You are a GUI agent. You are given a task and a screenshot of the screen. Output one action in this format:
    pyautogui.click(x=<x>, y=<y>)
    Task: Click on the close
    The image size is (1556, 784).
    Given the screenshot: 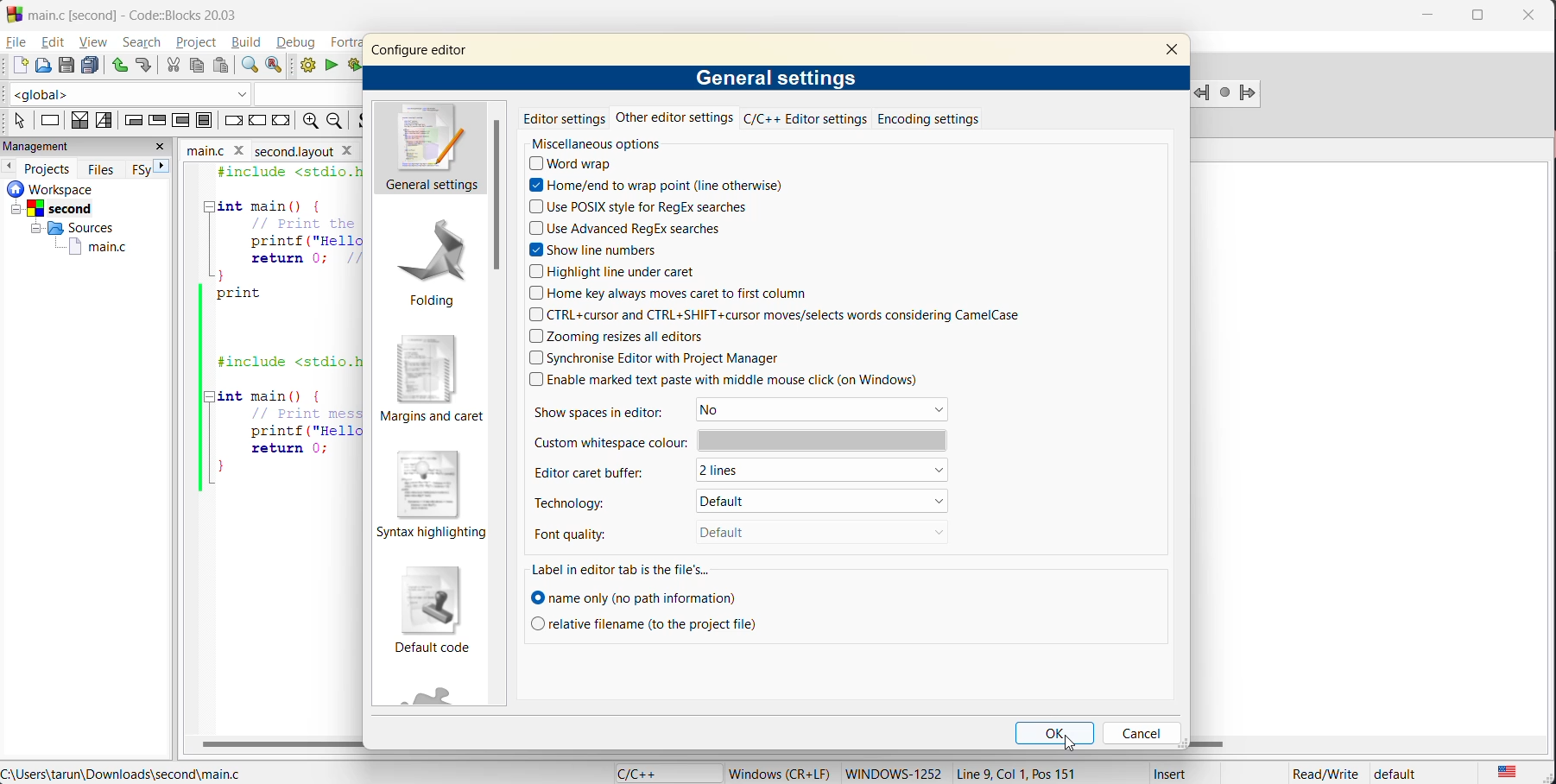 What is the action you would take?
    pyautogui.click(x=351, y=153)
    